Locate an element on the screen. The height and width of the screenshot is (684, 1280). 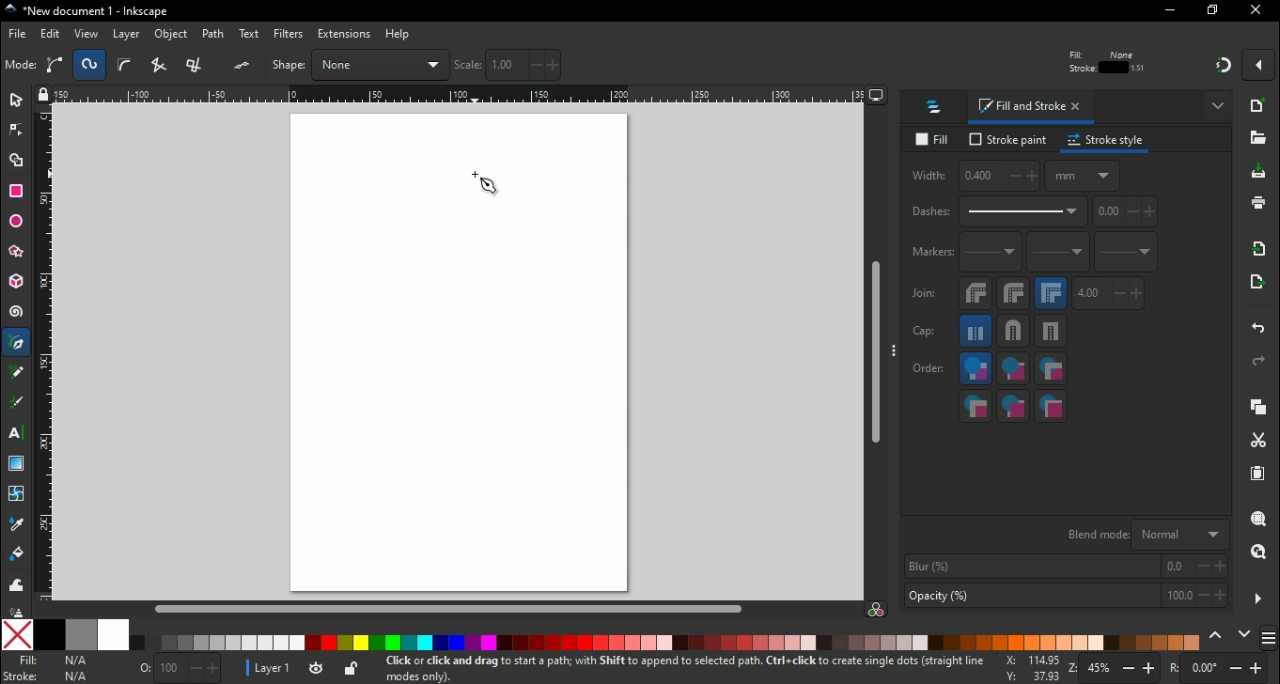
cut is located at coordinates (1260, 442).